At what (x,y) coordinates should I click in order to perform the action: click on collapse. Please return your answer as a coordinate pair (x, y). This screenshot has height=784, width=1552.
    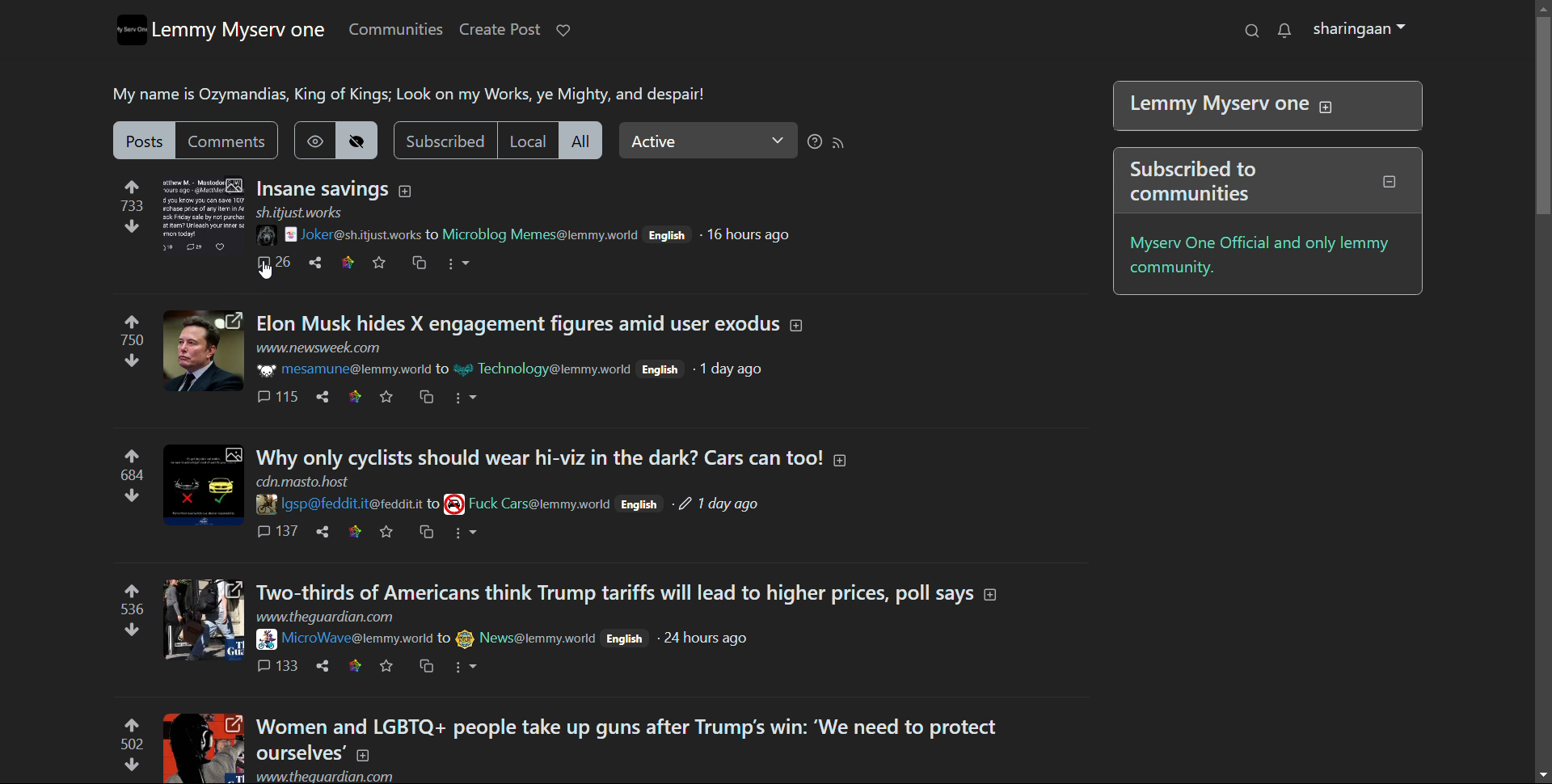
    Looking at the image, I should click on (1390, 181).